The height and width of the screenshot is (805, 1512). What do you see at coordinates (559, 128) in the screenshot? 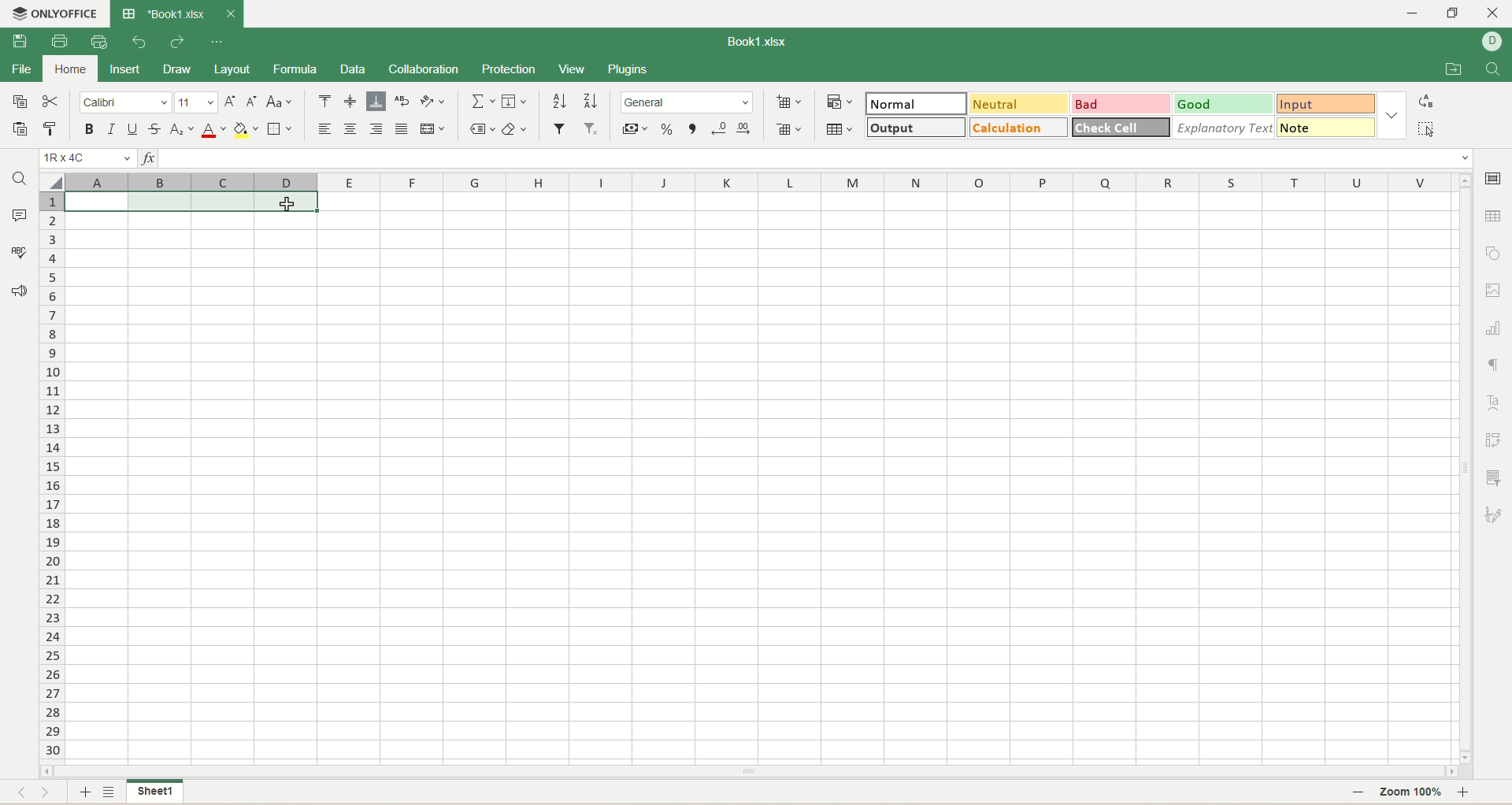
I see `filter` at bounding box center [559, 128].